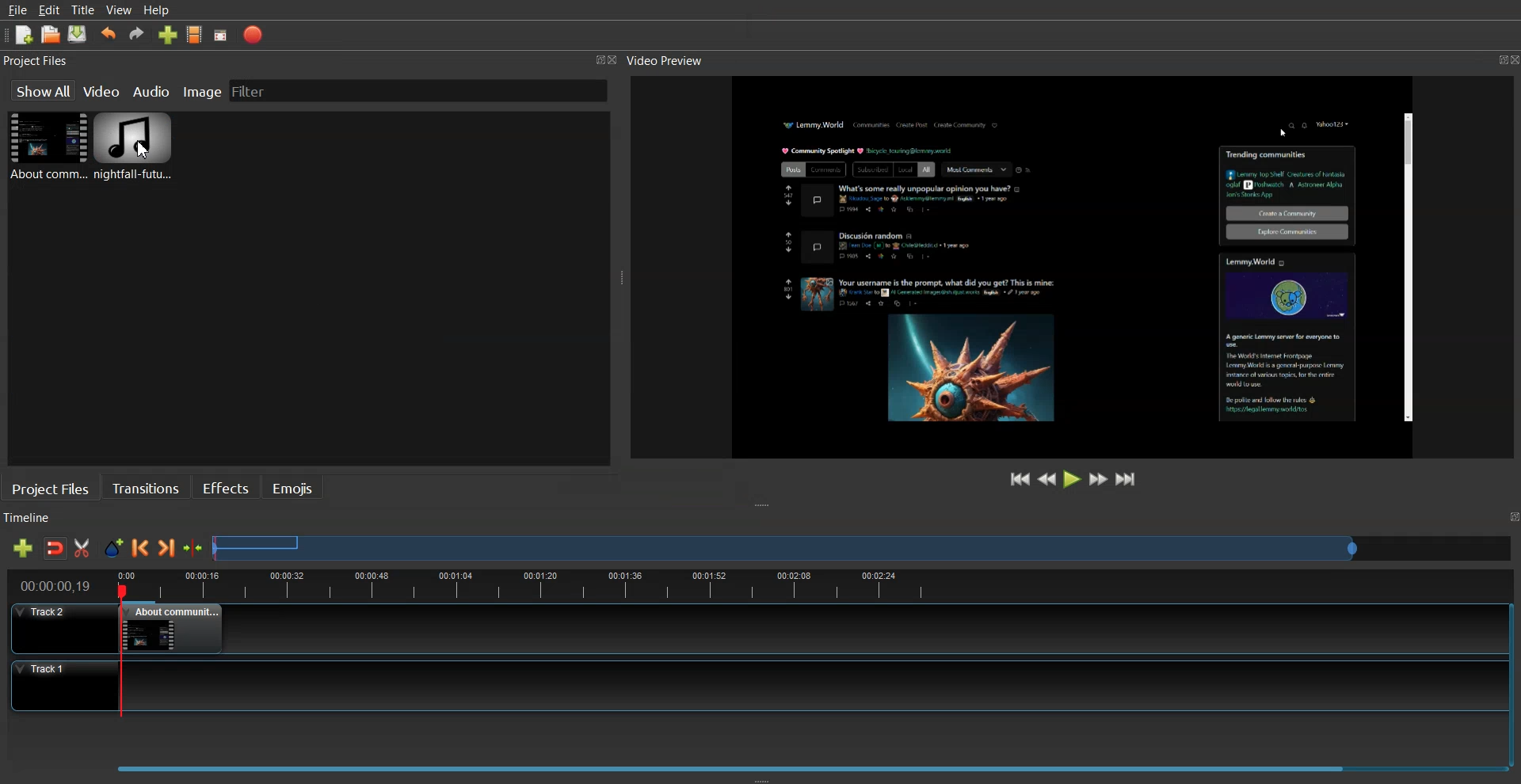  What do you see at coordinates (202, 89) in the screenshot?
I see `Image` at bounding box center [202, 89].